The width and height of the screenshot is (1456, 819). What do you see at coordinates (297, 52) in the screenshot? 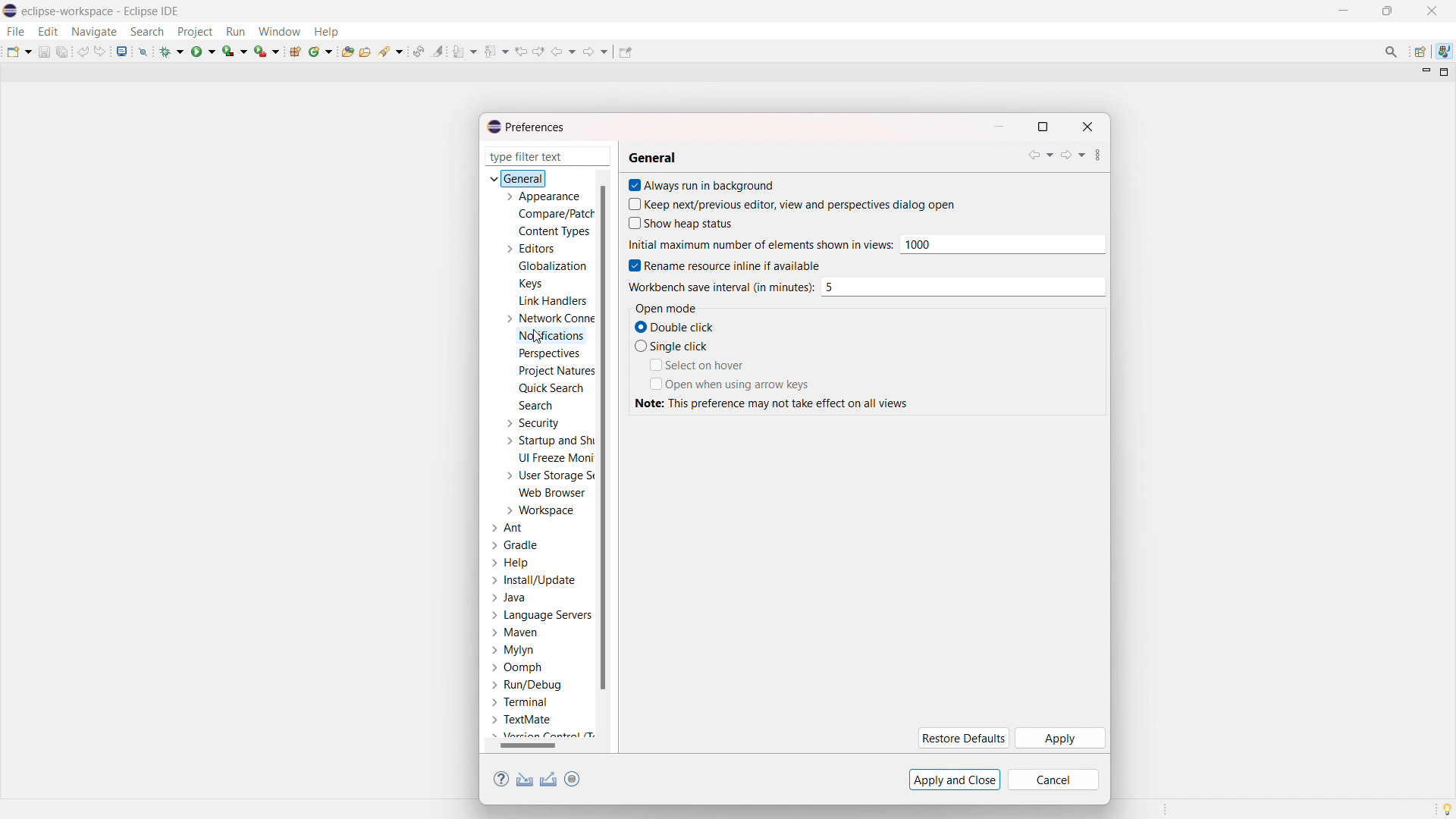
I see `new java project` at bounding box center [297, 52].